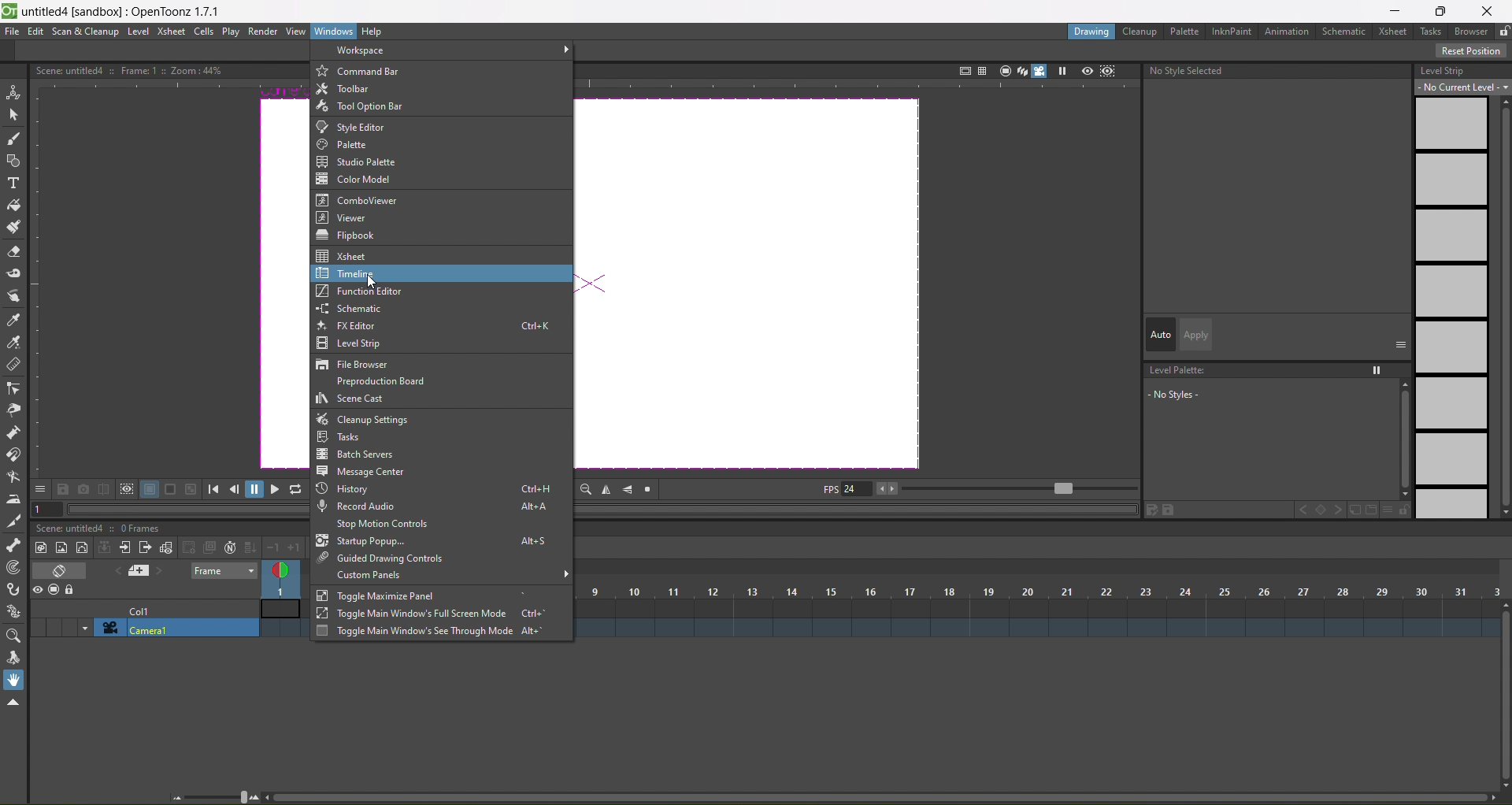  What do you see at coordinates (373, 52) in the screenshot?
I see `workspace` at bounding box center [373, 52].